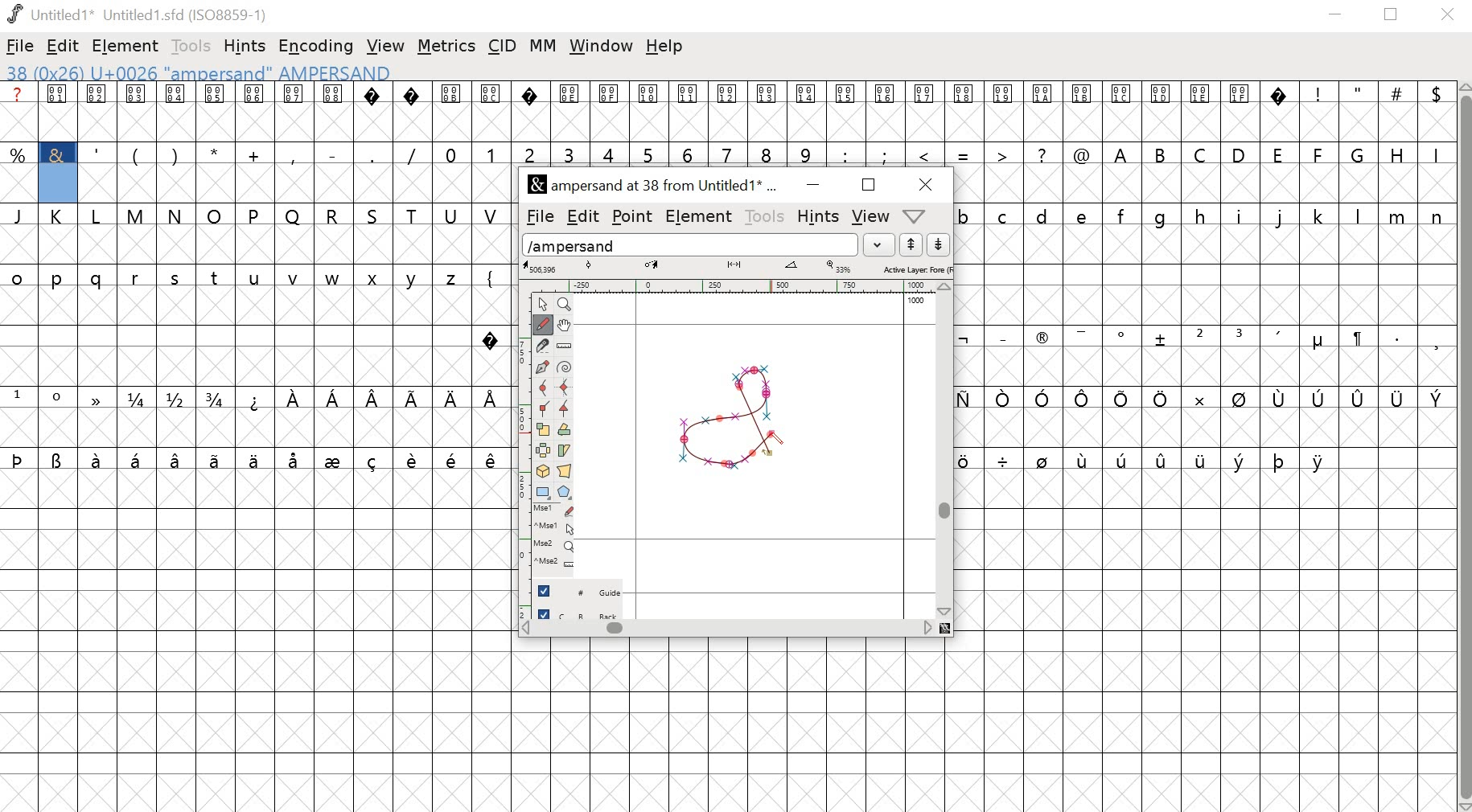 This screenshot has width=1472, height=812. Describe the element at coordinates (735, 266) in the screenshot. I see `distance between points` at that location.